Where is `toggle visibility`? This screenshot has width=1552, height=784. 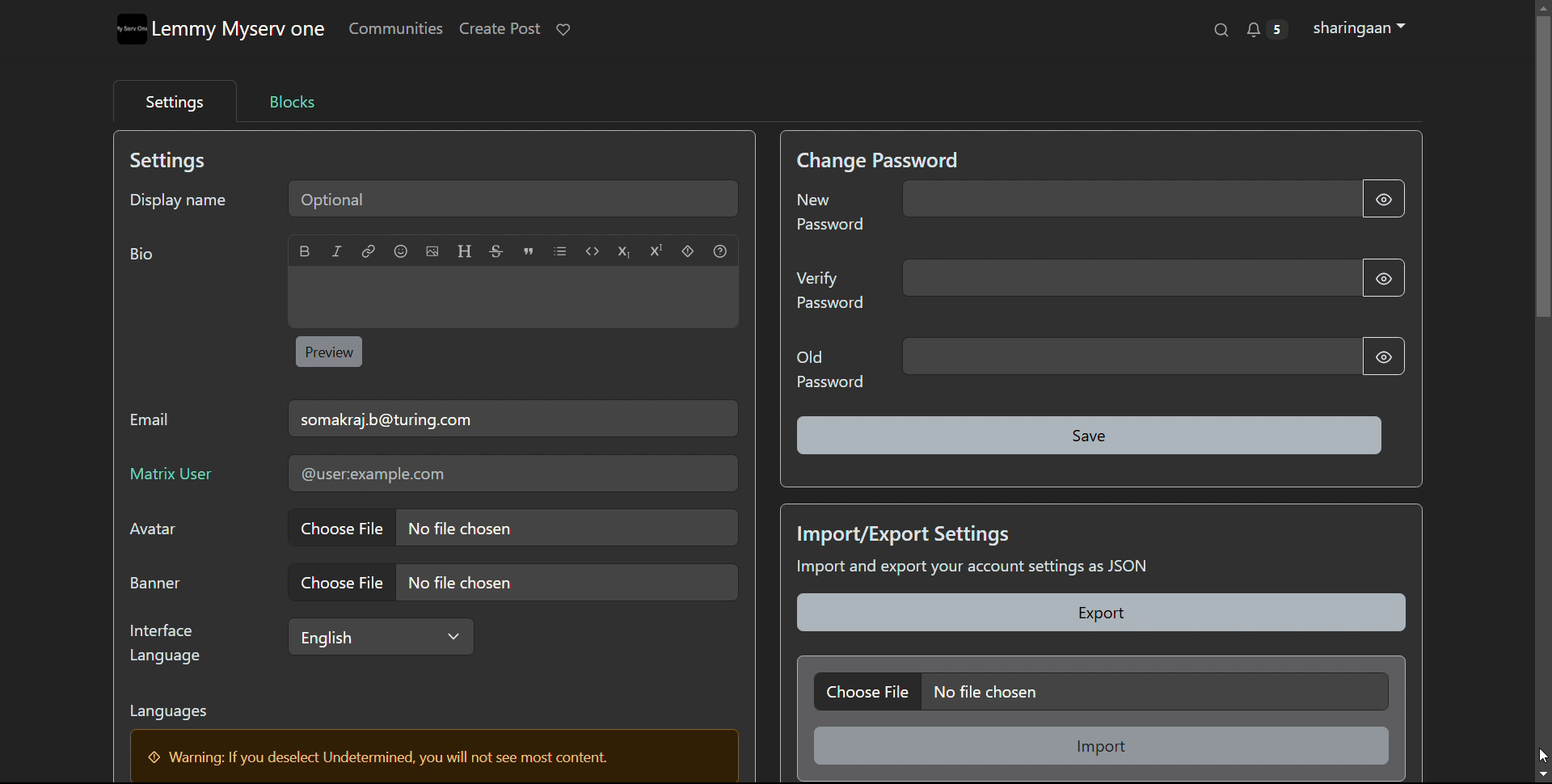
toggle visibility is located at coordinates (1385, 356).